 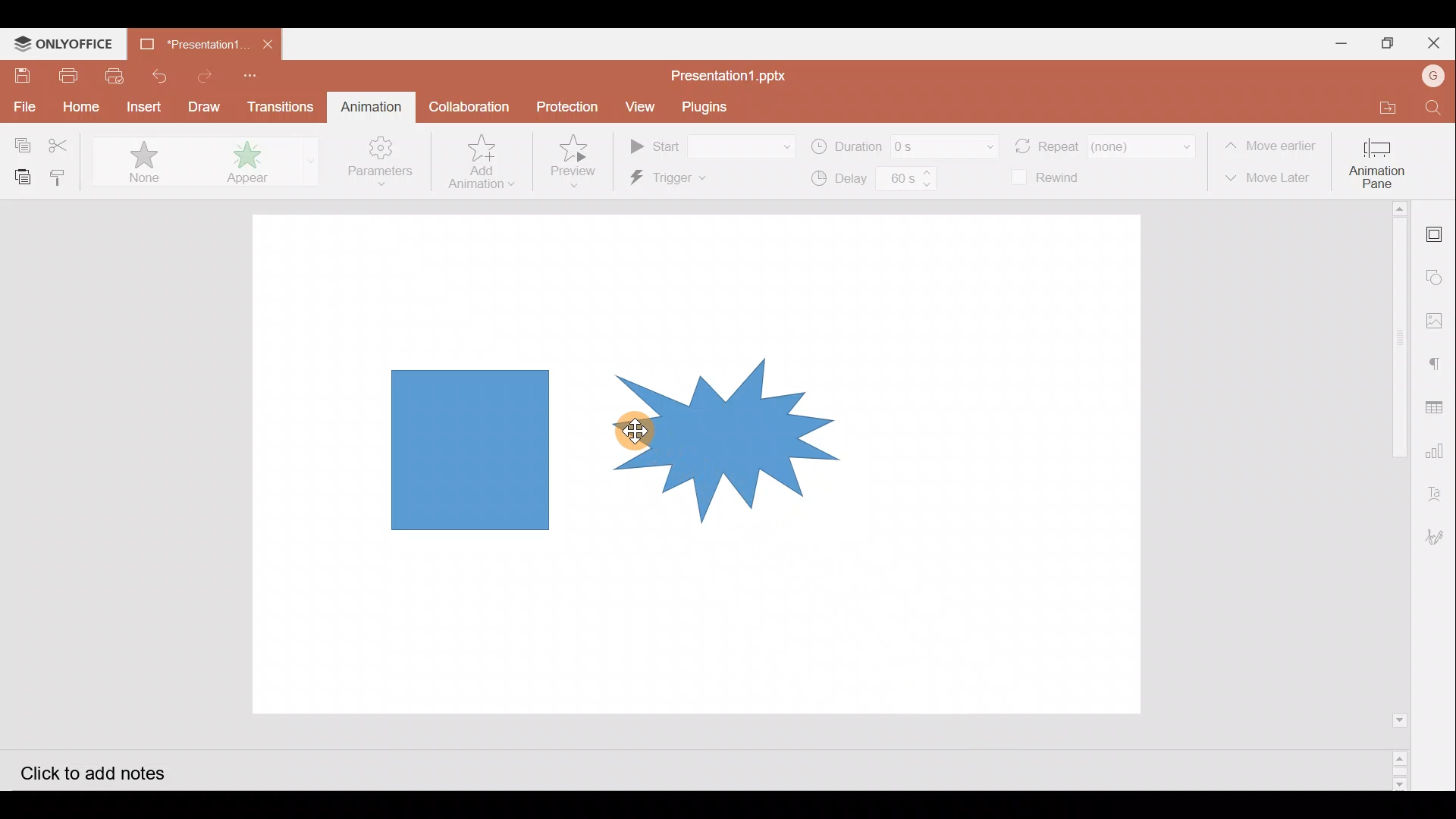 I want to click on Plugins, so click(x=704, y=106).